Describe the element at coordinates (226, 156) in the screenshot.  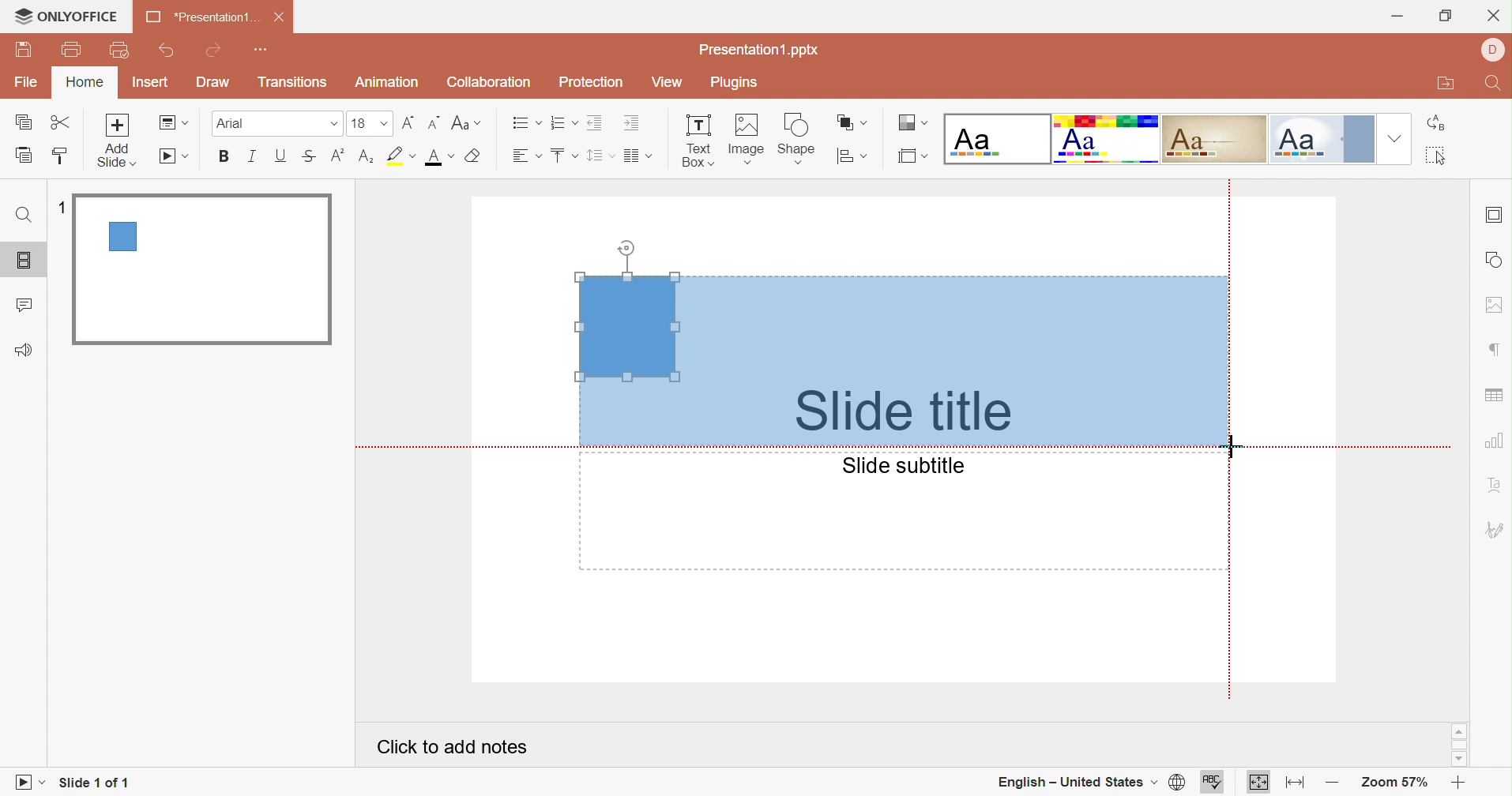
I see `Bold` at that location.